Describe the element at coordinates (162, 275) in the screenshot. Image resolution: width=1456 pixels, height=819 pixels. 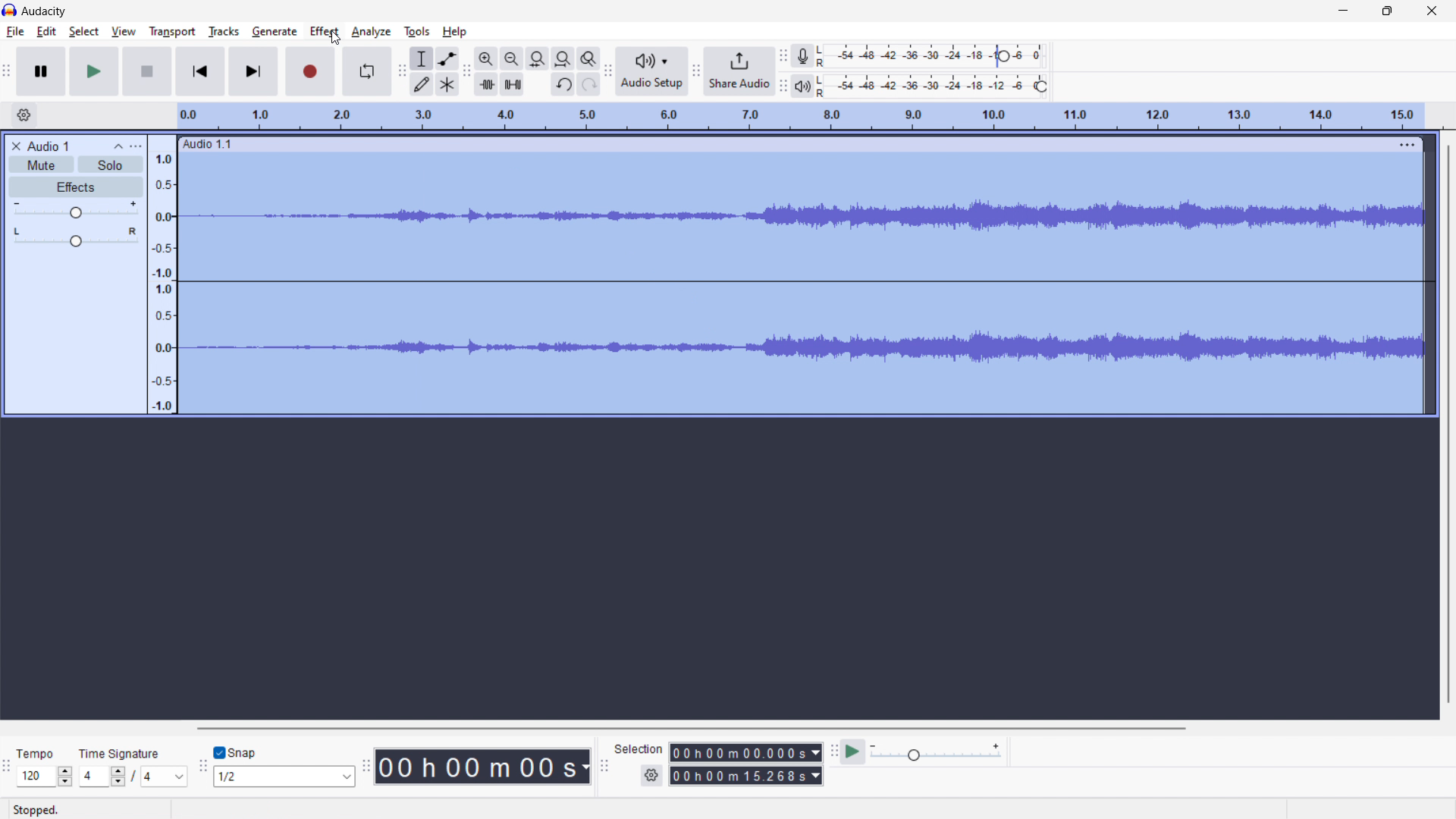
I see `amplitude` at that location.